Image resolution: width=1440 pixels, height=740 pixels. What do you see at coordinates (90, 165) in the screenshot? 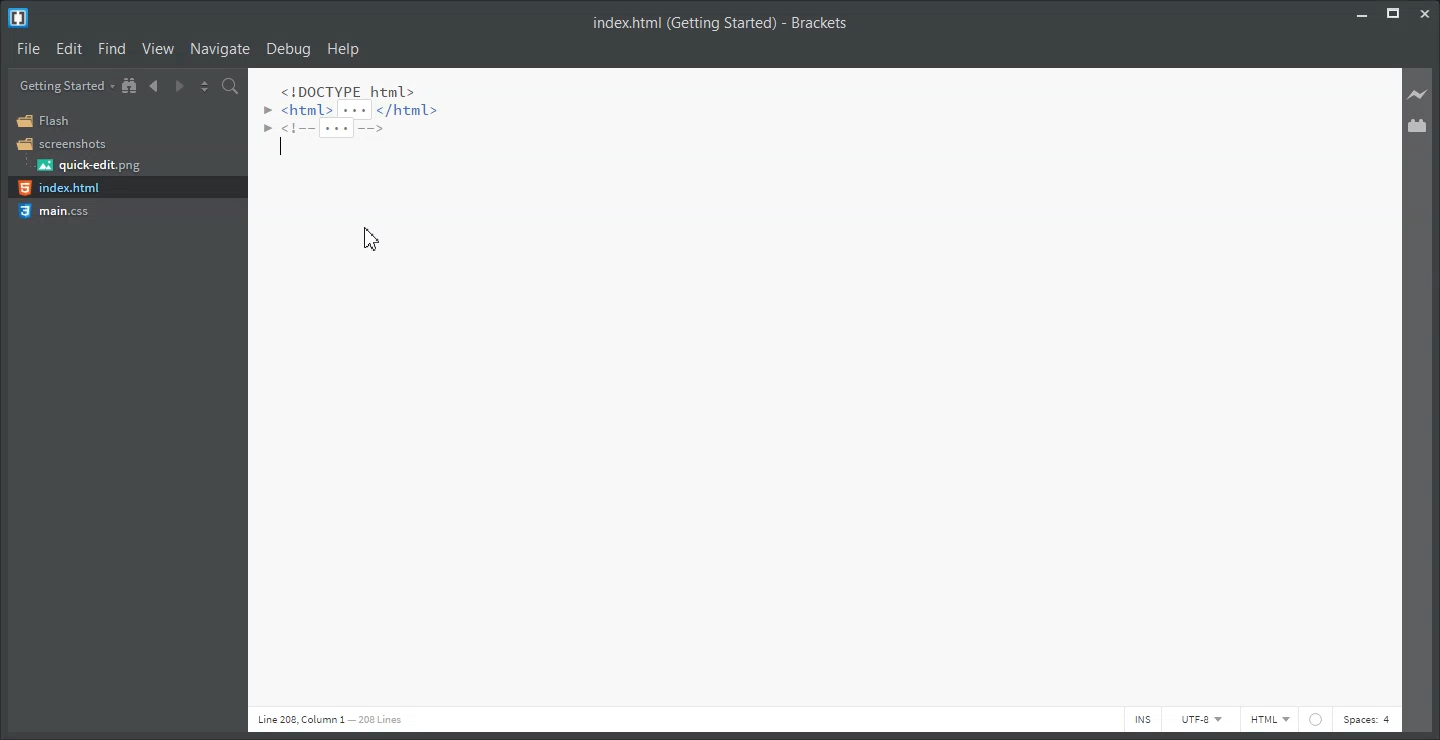
I see `quick-edit.png` at bounding box center [90, 165].